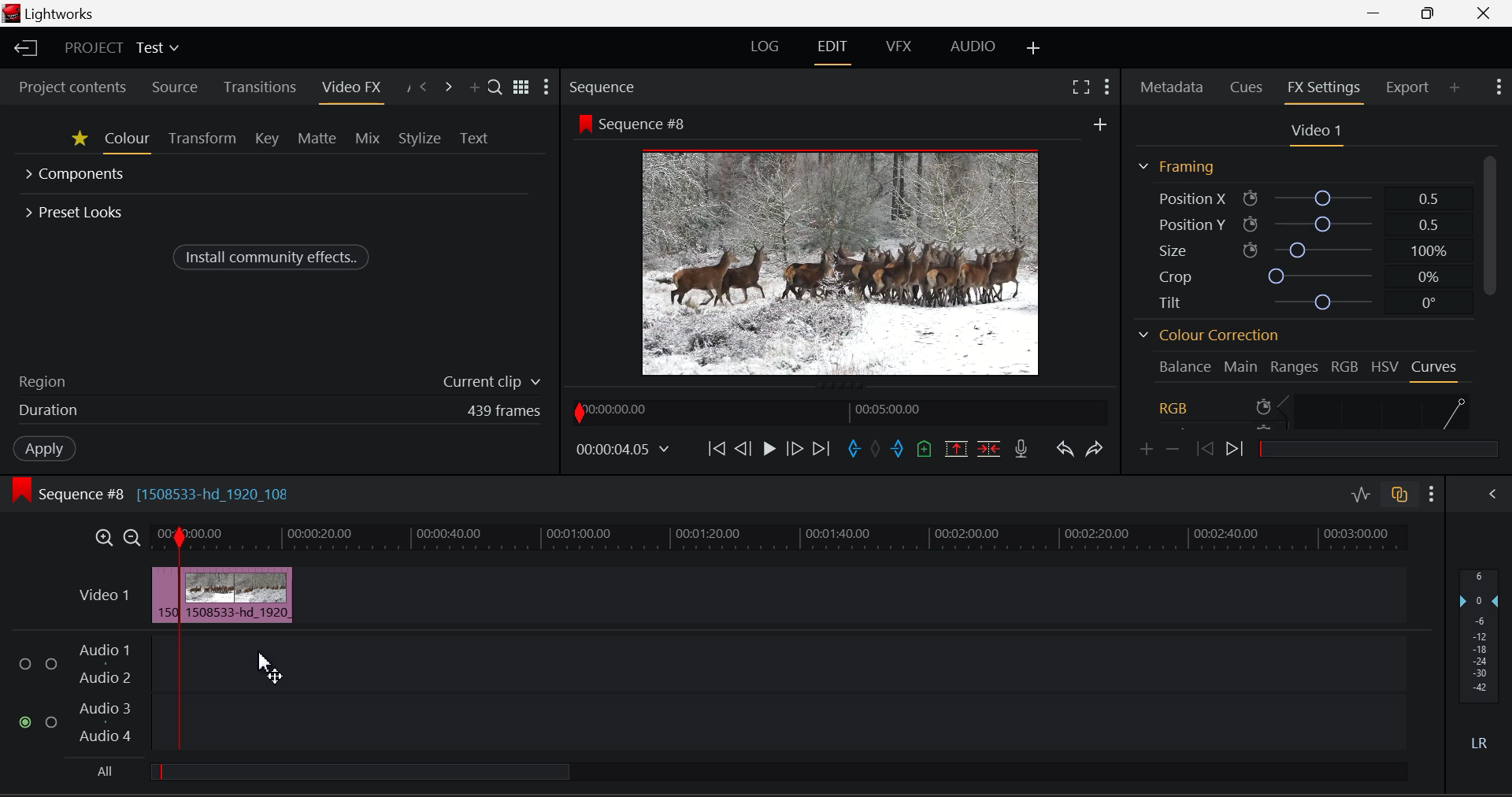 This screenshot has width=1512, height=797. I want to click on Stylize, so click(419, 137).